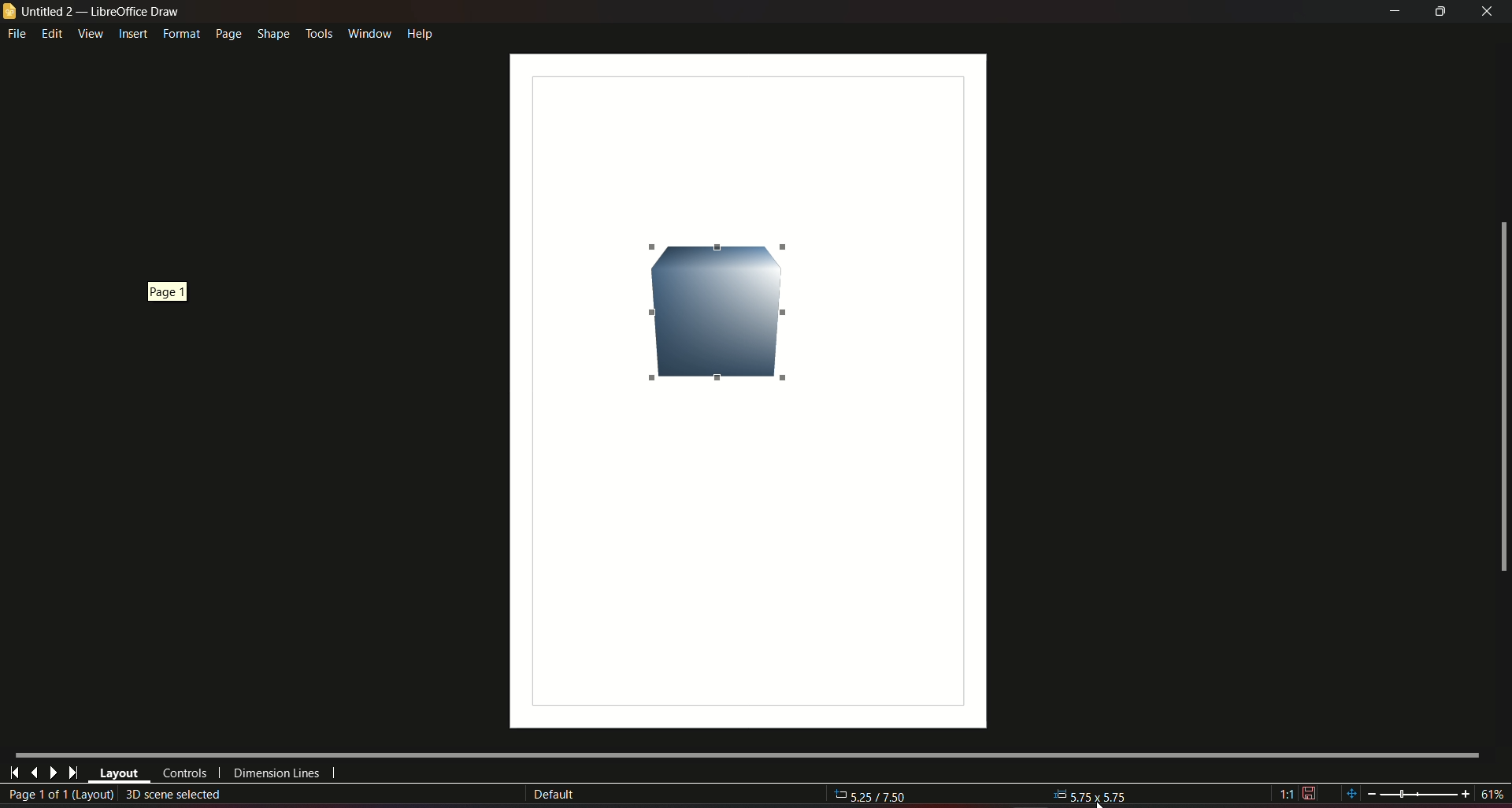 Image resolution: width=1512 pixels, height=808 pixels. What do you see at coordinates (1488, 11) in the screenshot?
I see `close` at bounding box center [1488, 11].